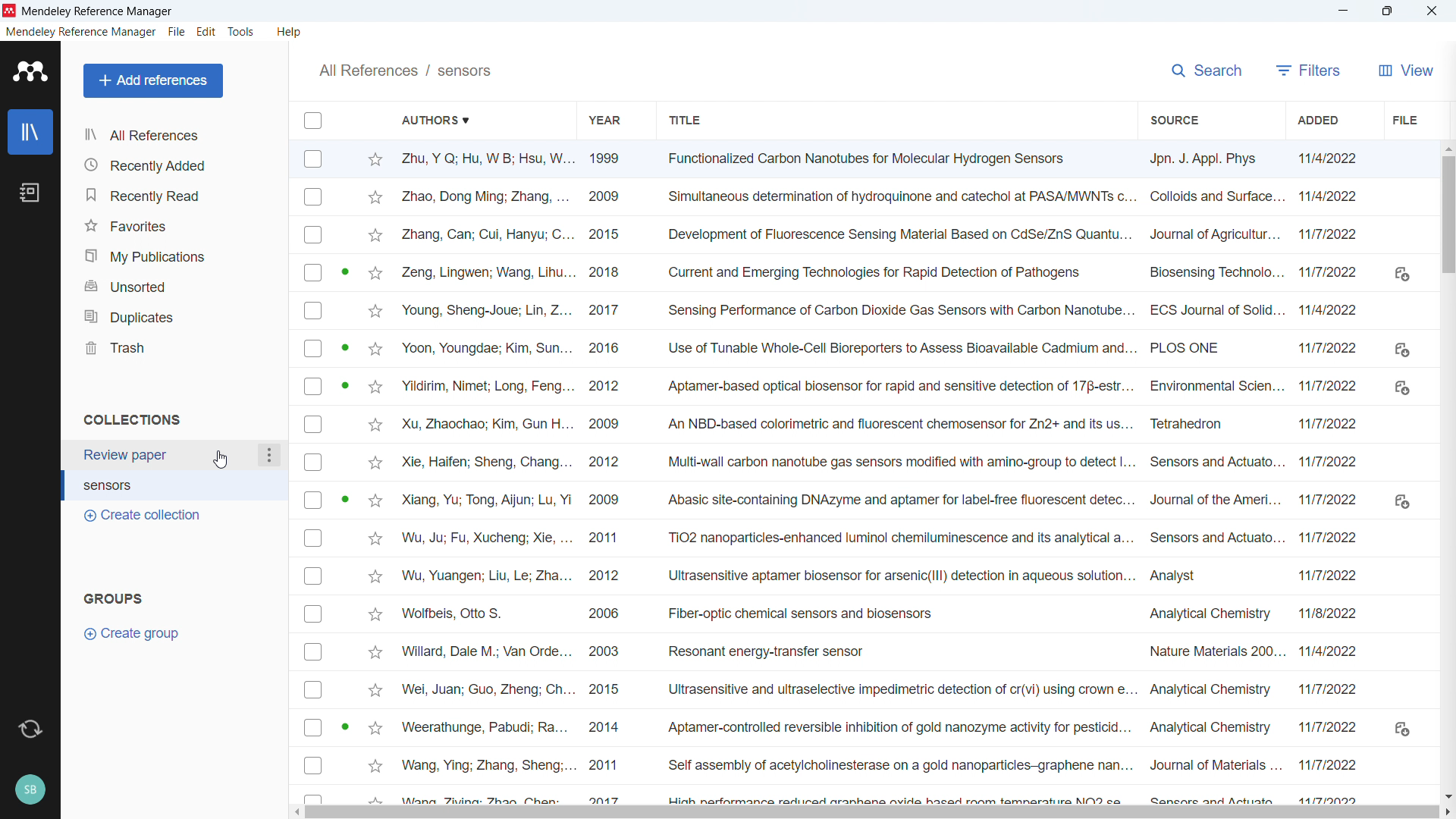 This screenshot has width=1456, height=819. What do you see at coordinates (312, 120) in the screenshot?
I see `Select all entries ` at bounding box center [312, 120].